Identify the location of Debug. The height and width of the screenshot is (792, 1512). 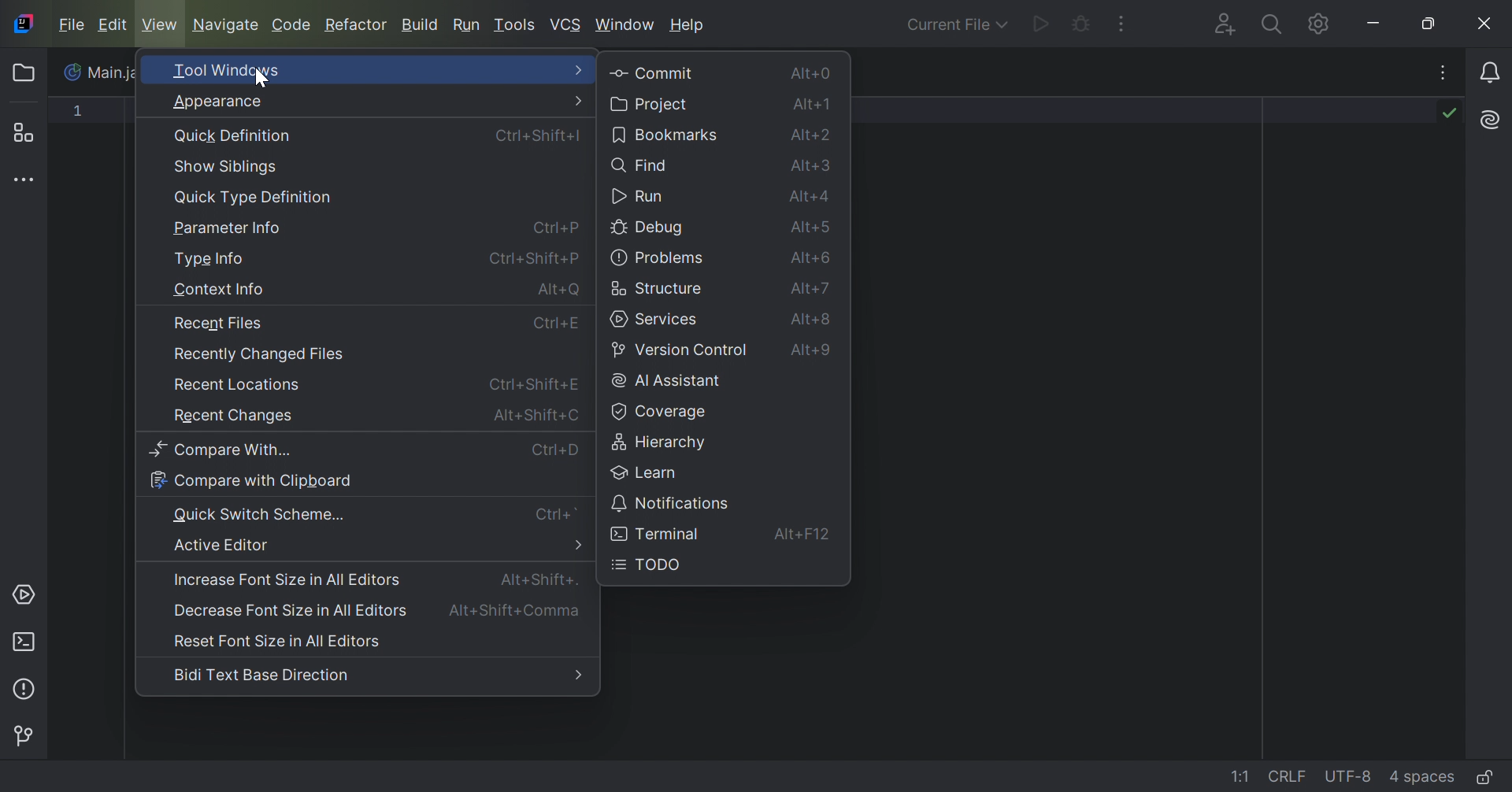
(1080, 26).